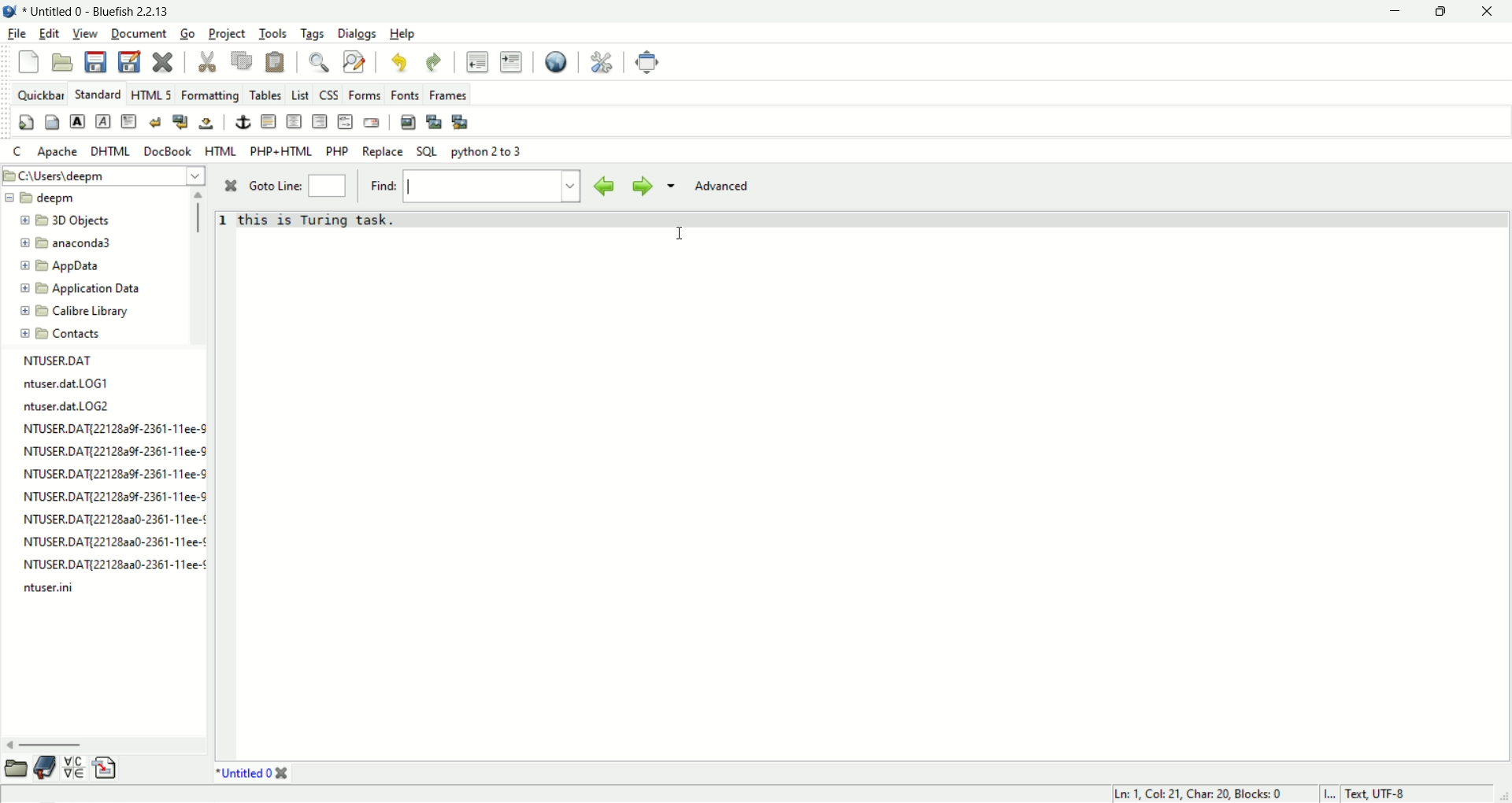  I want to click on apache, so click(58, 151).